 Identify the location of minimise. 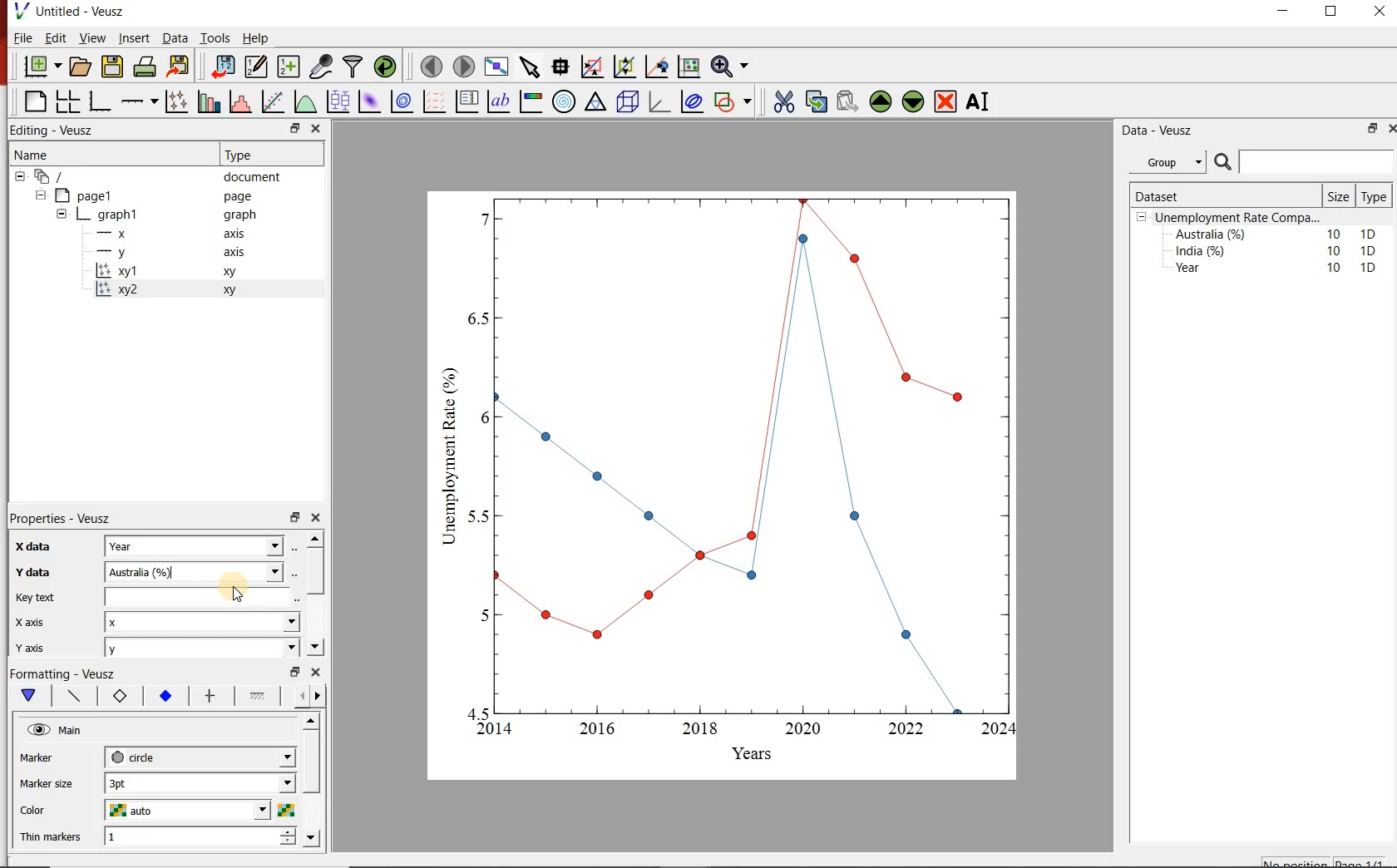
(1287, 15).